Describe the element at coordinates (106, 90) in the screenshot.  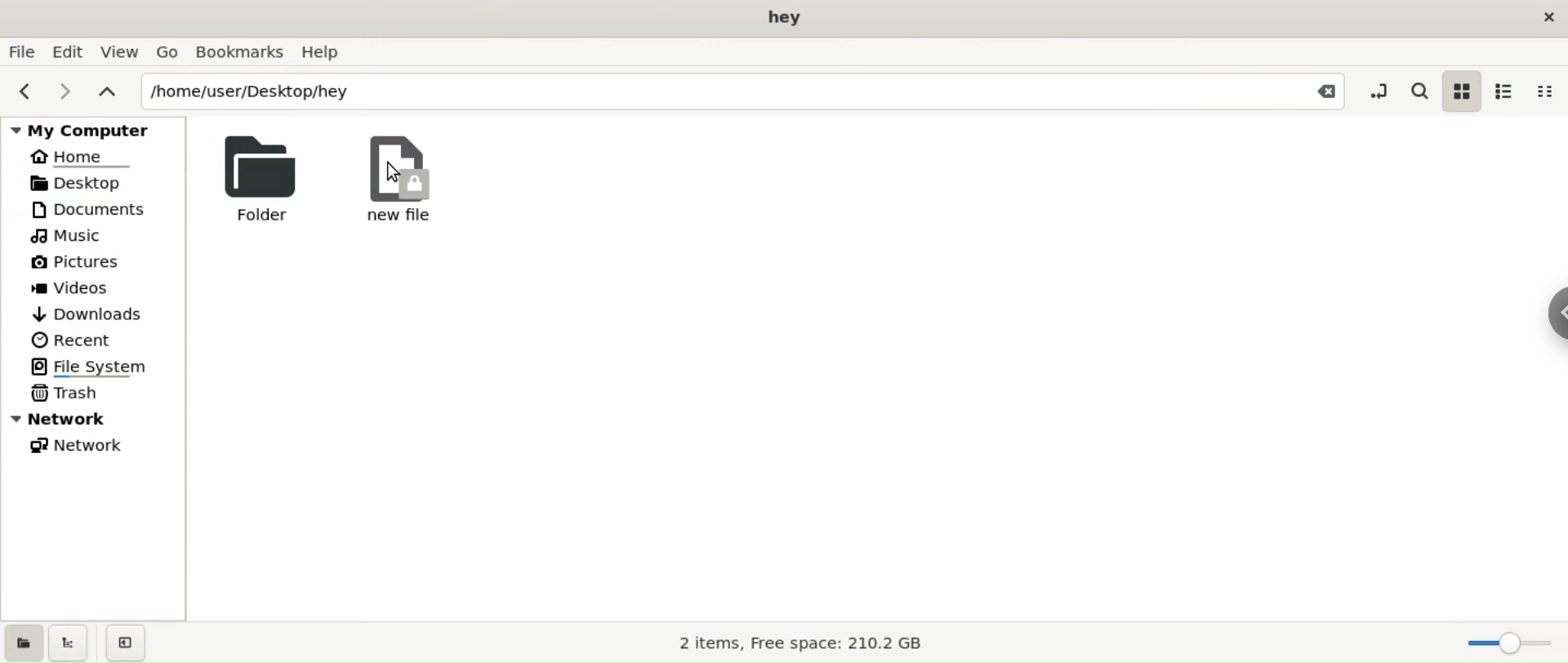
I see `parent folders` at that location.